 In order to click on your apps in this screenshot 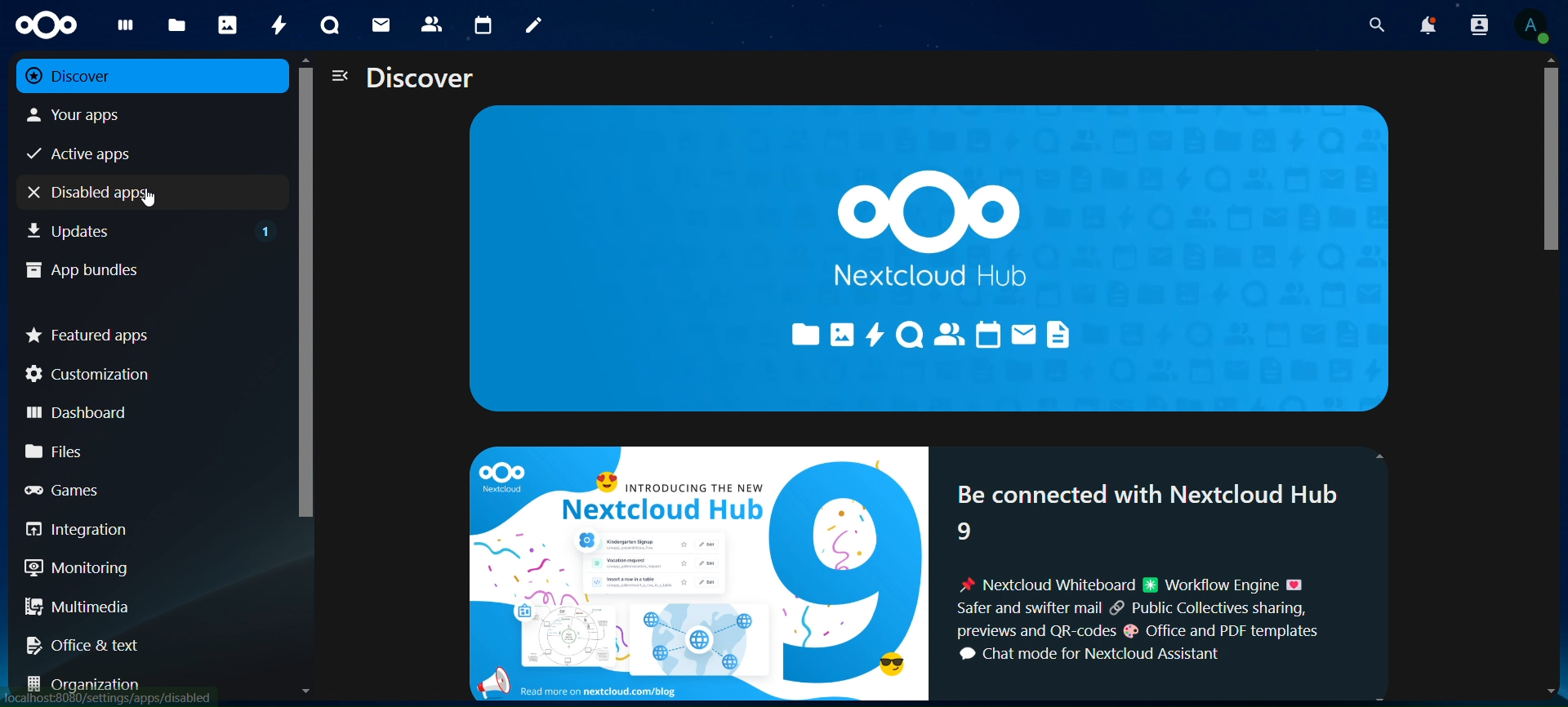, I will do `click(132, 115)`.